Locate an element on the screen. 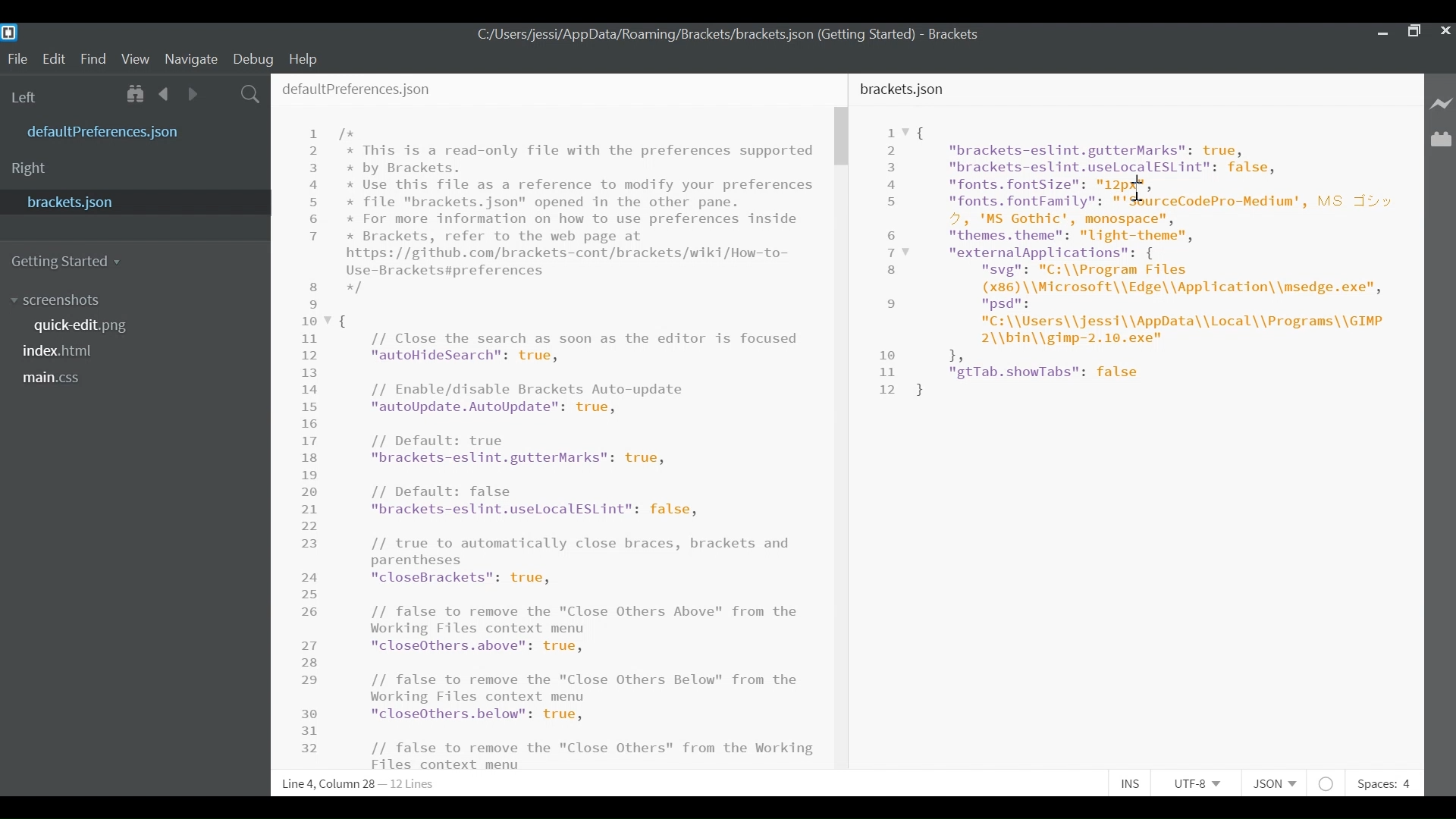 The width and height of the screenshot is (1456, 819). C:/Users/jessi/AppData/Roaming/Brackets/brackets. json (Getting Started) - Brackets is located at coordinates (743, 36).